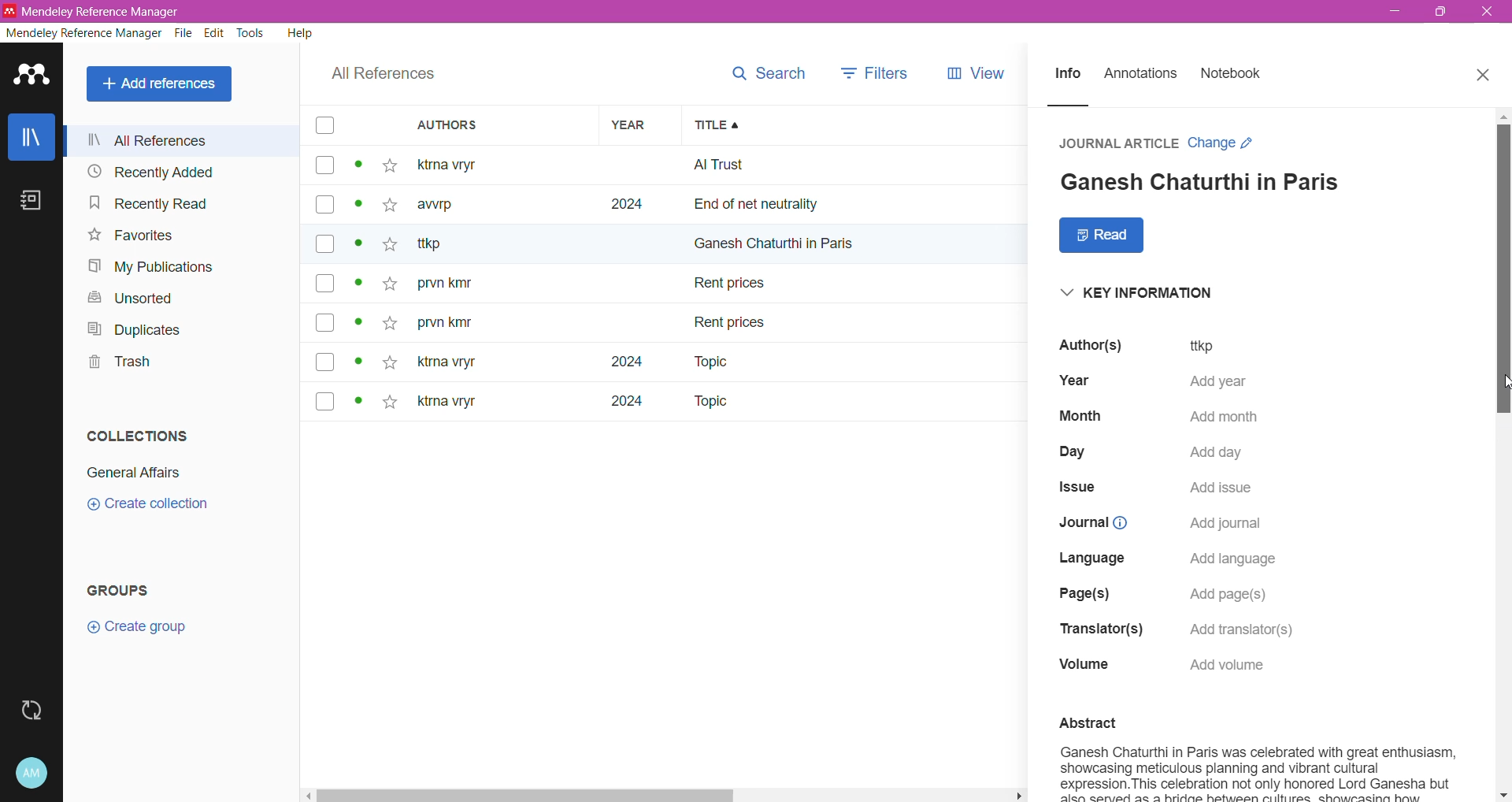 Image resolution: width=1512 pixels, height=802 pixels. Describe the element at coordinates (854, 125) in the screenshot. I see `Title` at that location.